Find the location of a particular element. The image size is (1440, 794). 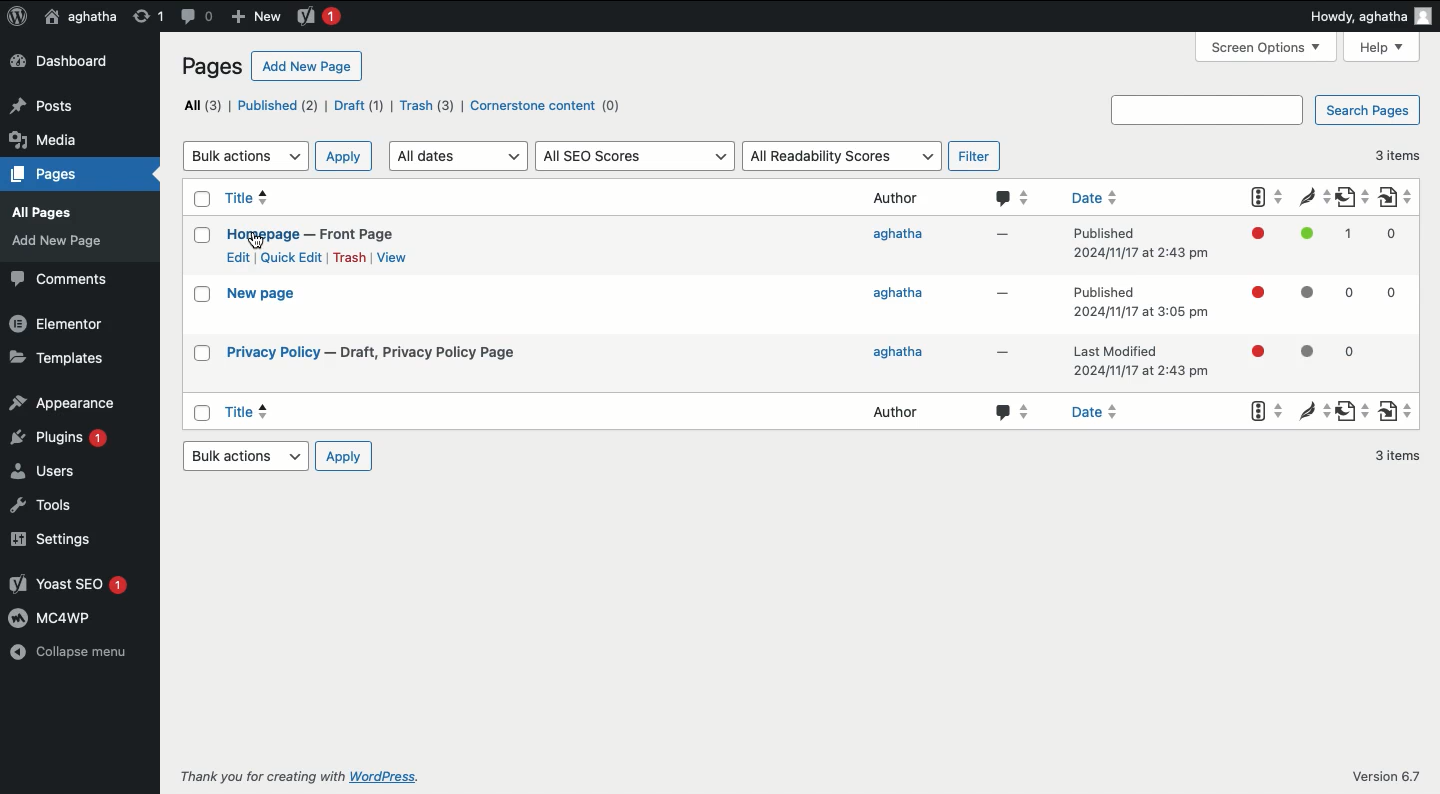

All is located at coordinates (200, 106).